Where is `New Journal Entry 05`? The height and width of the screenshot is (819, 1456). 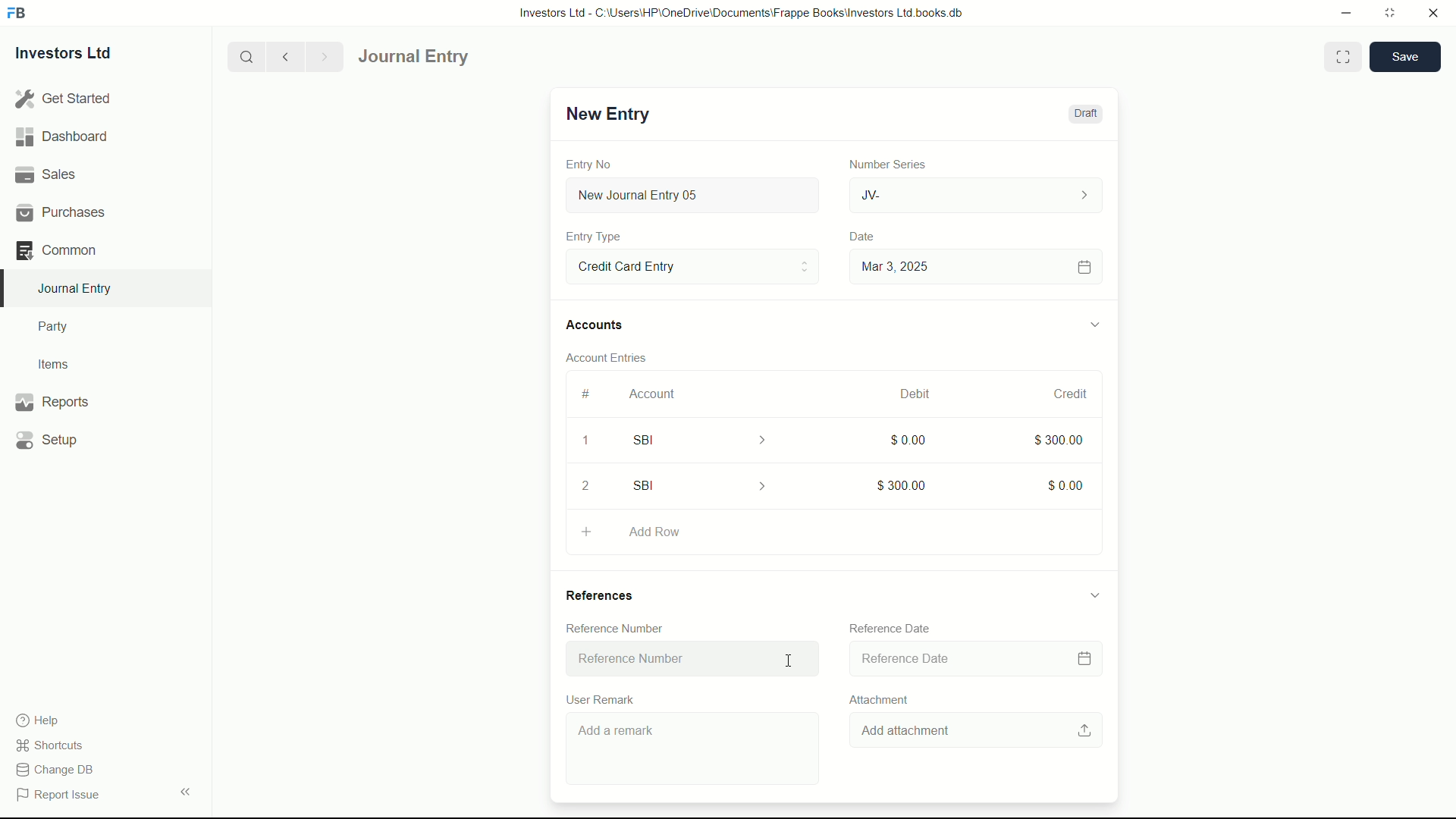
New Journal Entry 05 is located at coordinates (695, 196).